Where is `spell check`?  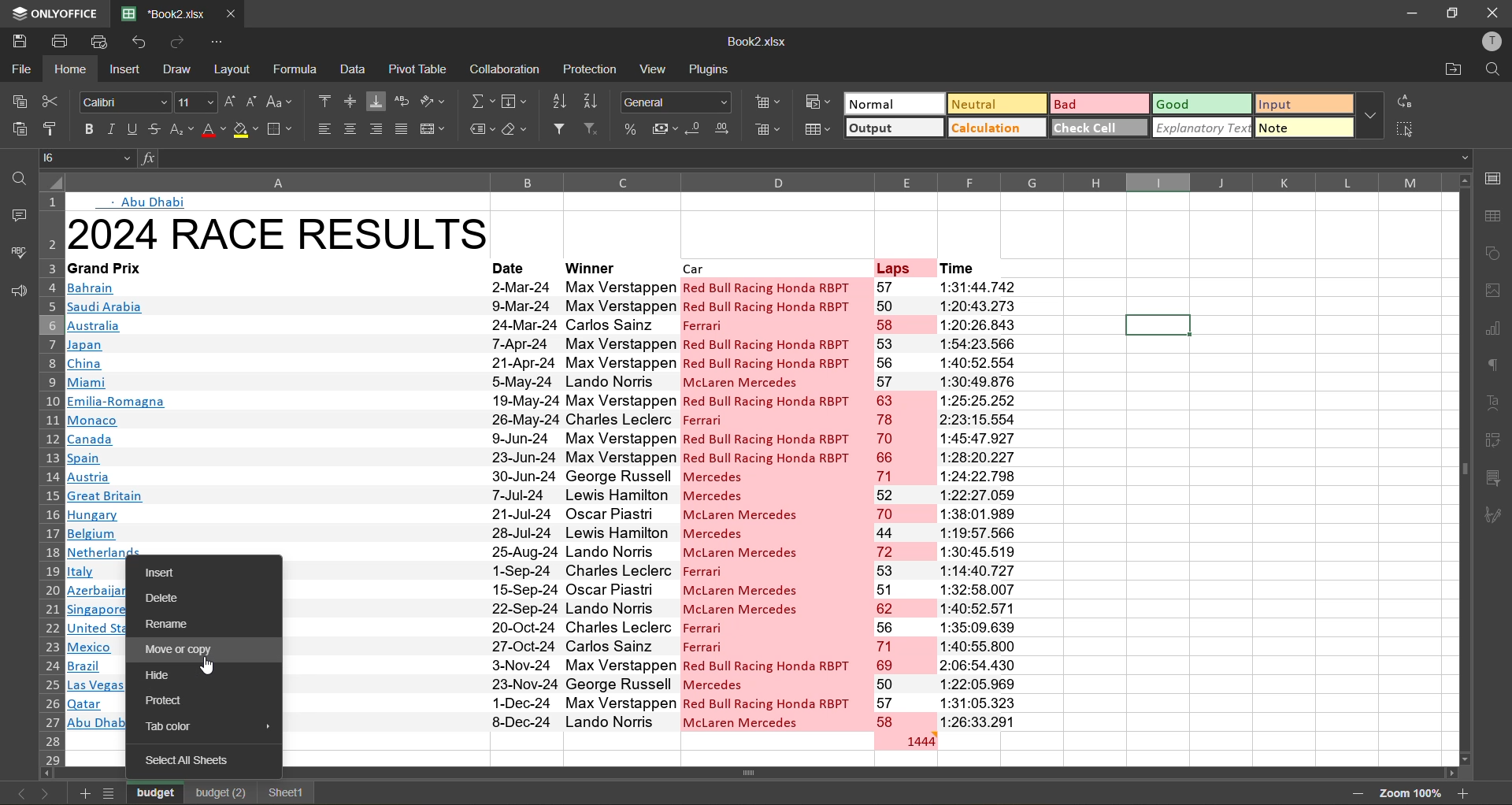
spell check is located at coordinates (17, 251).